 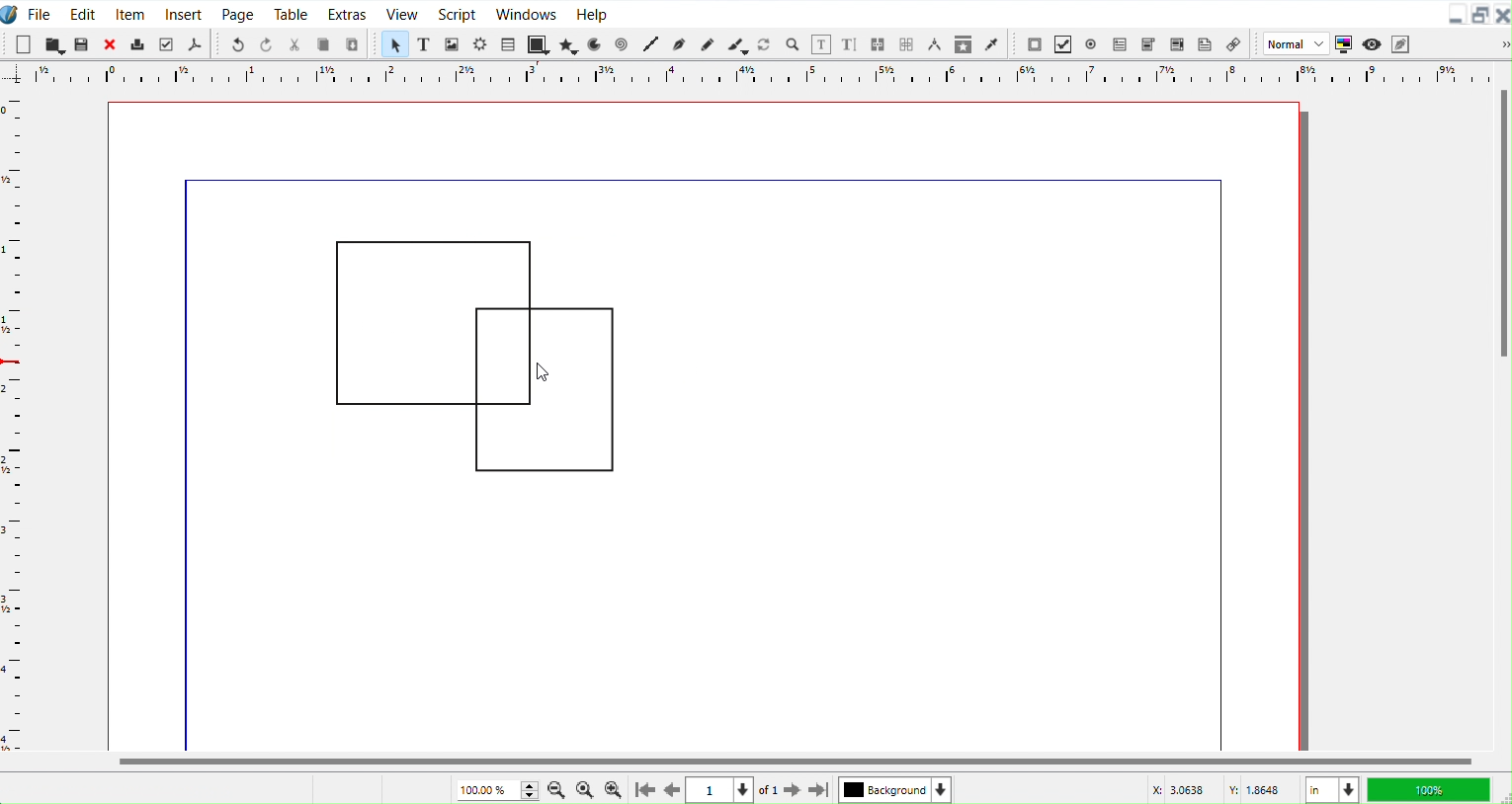 I want to click on Line, so click(x=653, y=45).